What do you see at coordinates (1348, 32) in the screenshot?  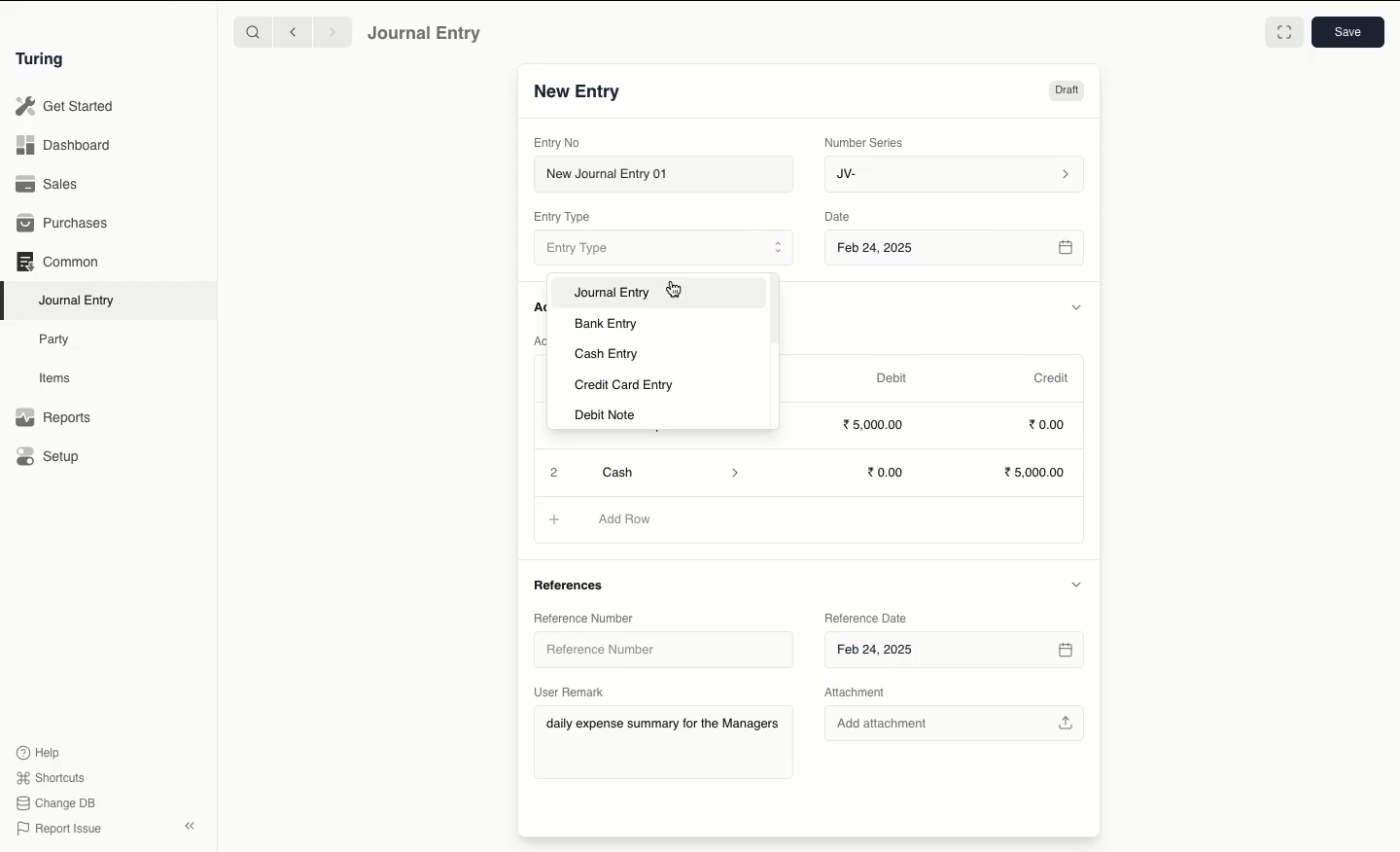 I see `Save` at bounding box center [1348, 32].